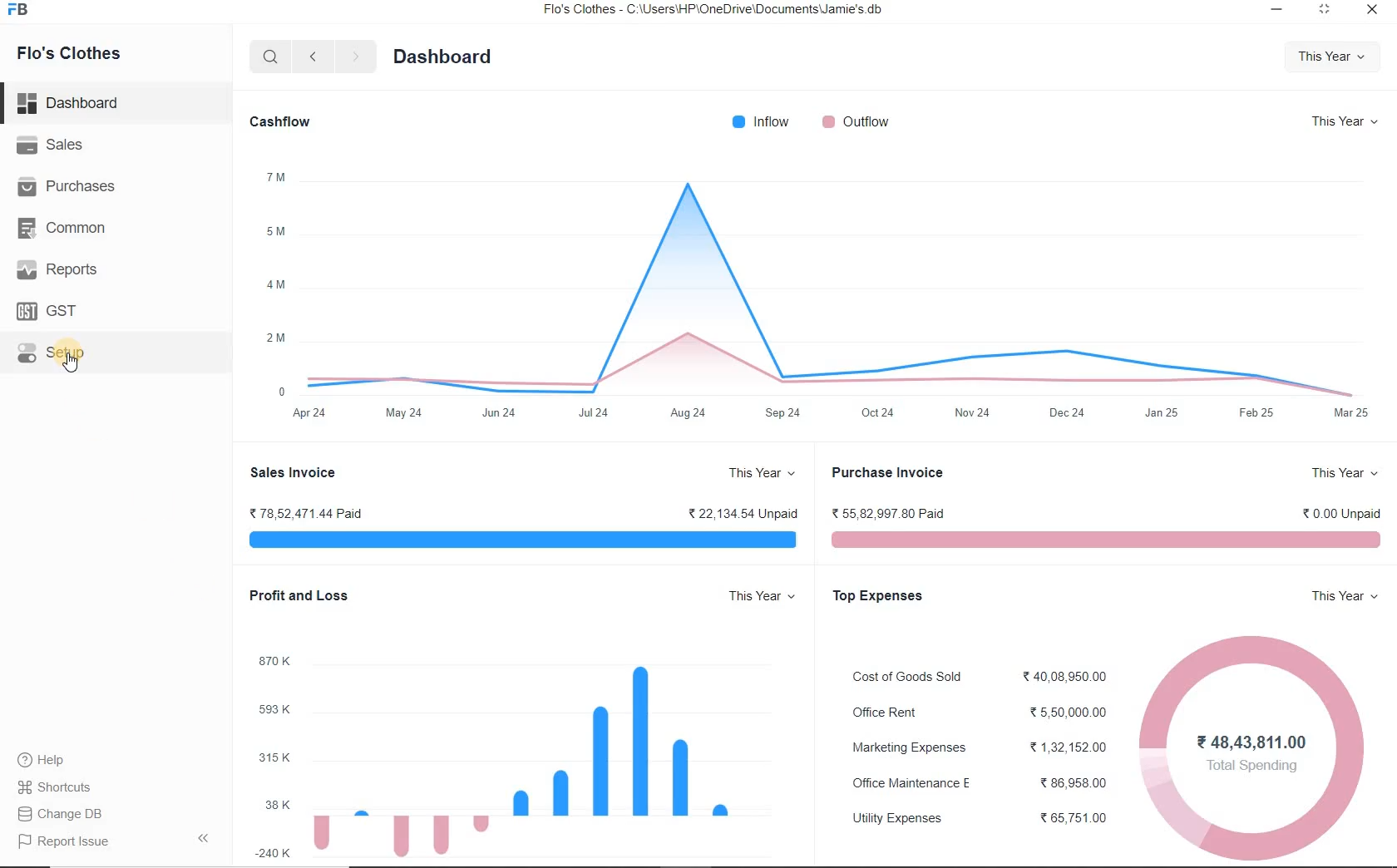 Image resolution: width=1397 pixels, height=868 pixels. What do you see at coordinates (273, 712) in the screenshot?
I see `593 k` at bounding box center [273, 712].